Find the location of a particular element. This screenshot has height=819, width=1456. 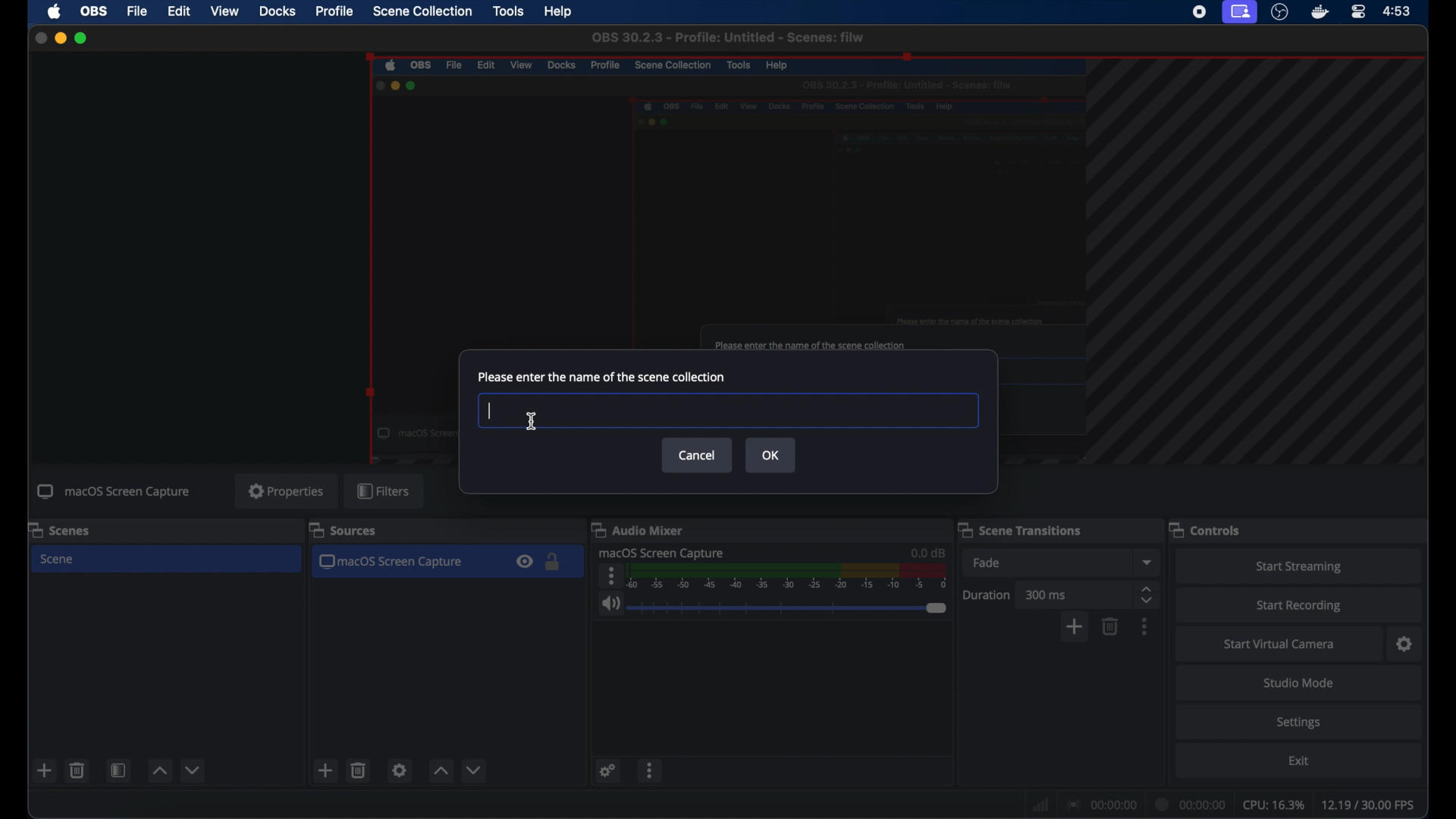

start virtual camera is located at coordinates (1281, 642).